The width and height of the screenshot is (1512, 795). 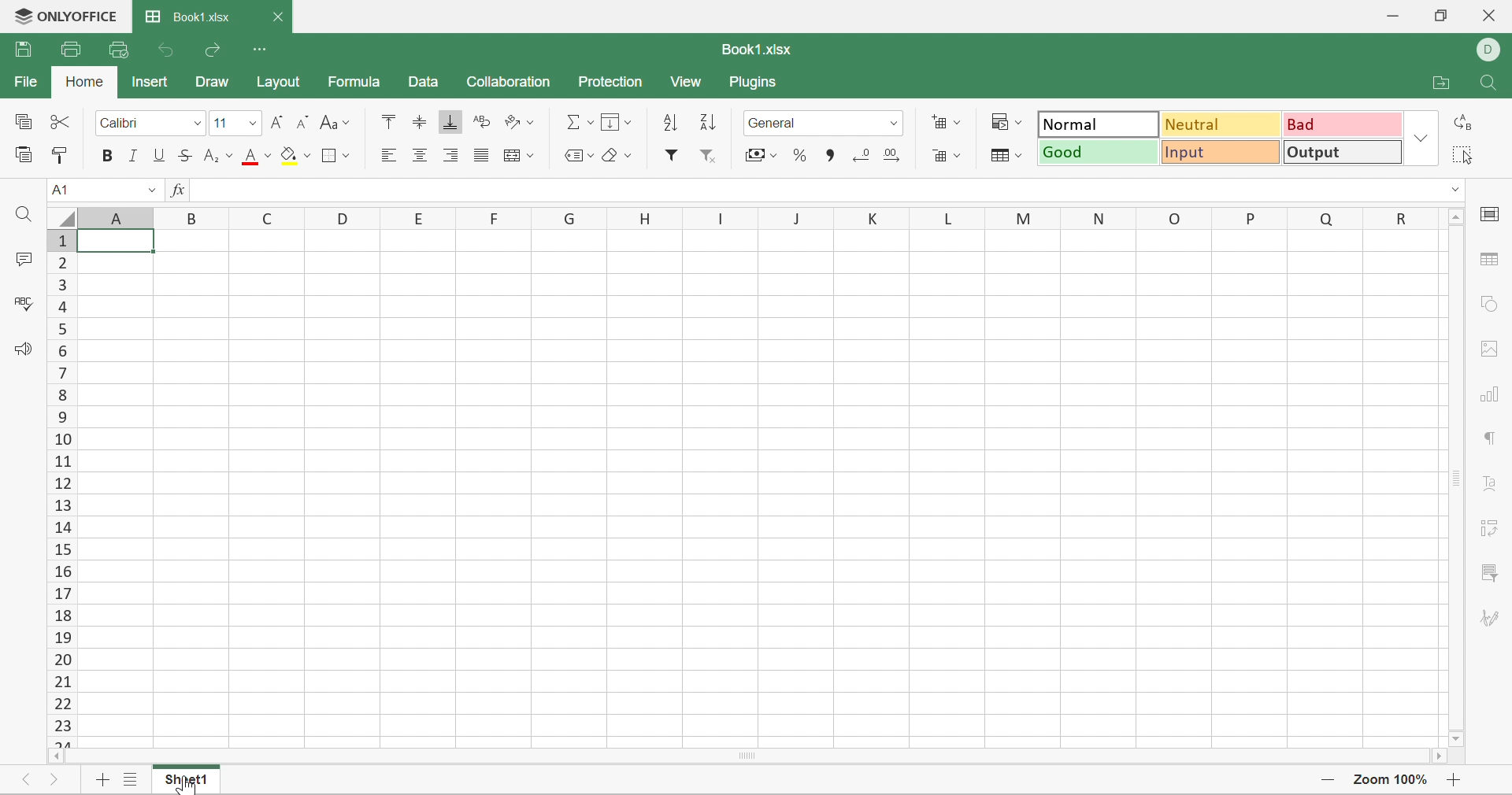 I want to click on Cell A1 highlighted, so click(x=120, y=241).